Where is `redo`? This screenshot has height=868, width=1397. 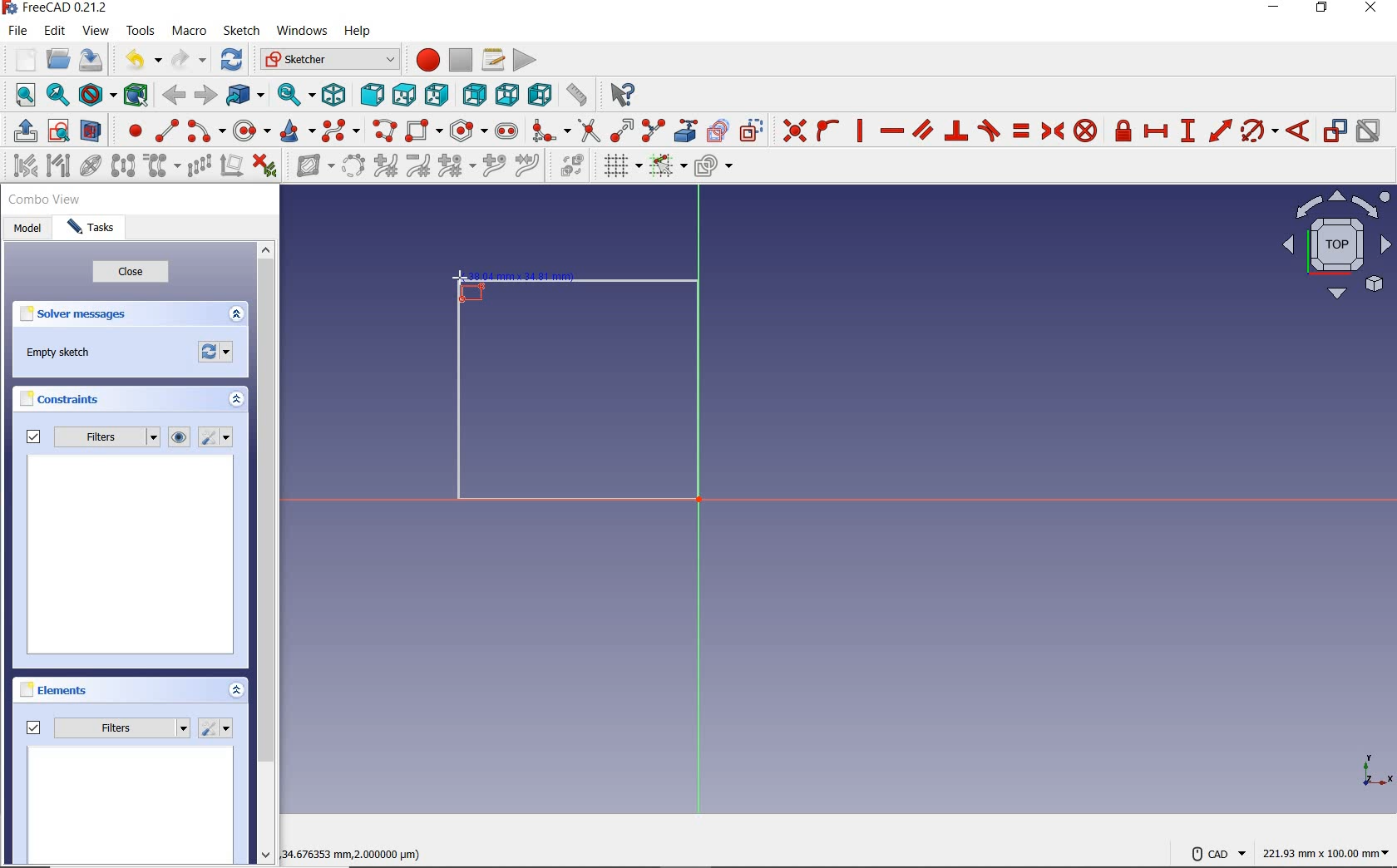 redo is located at coordinates (189, 60).